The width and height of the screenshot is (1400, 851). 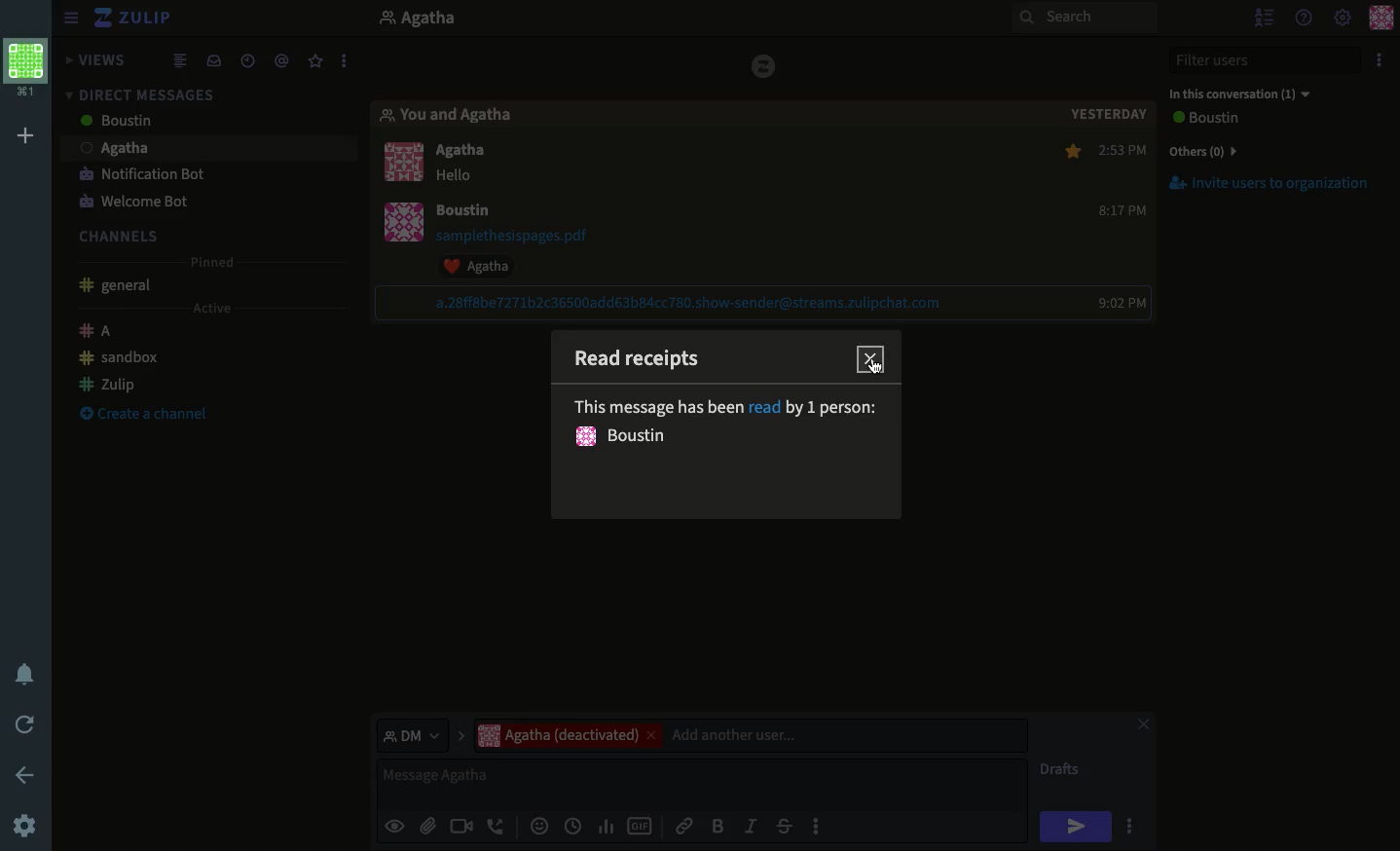 What do you see at coordinates (187, 123) in the screenshot?
I see `Users` at bounding box center [187, 123].